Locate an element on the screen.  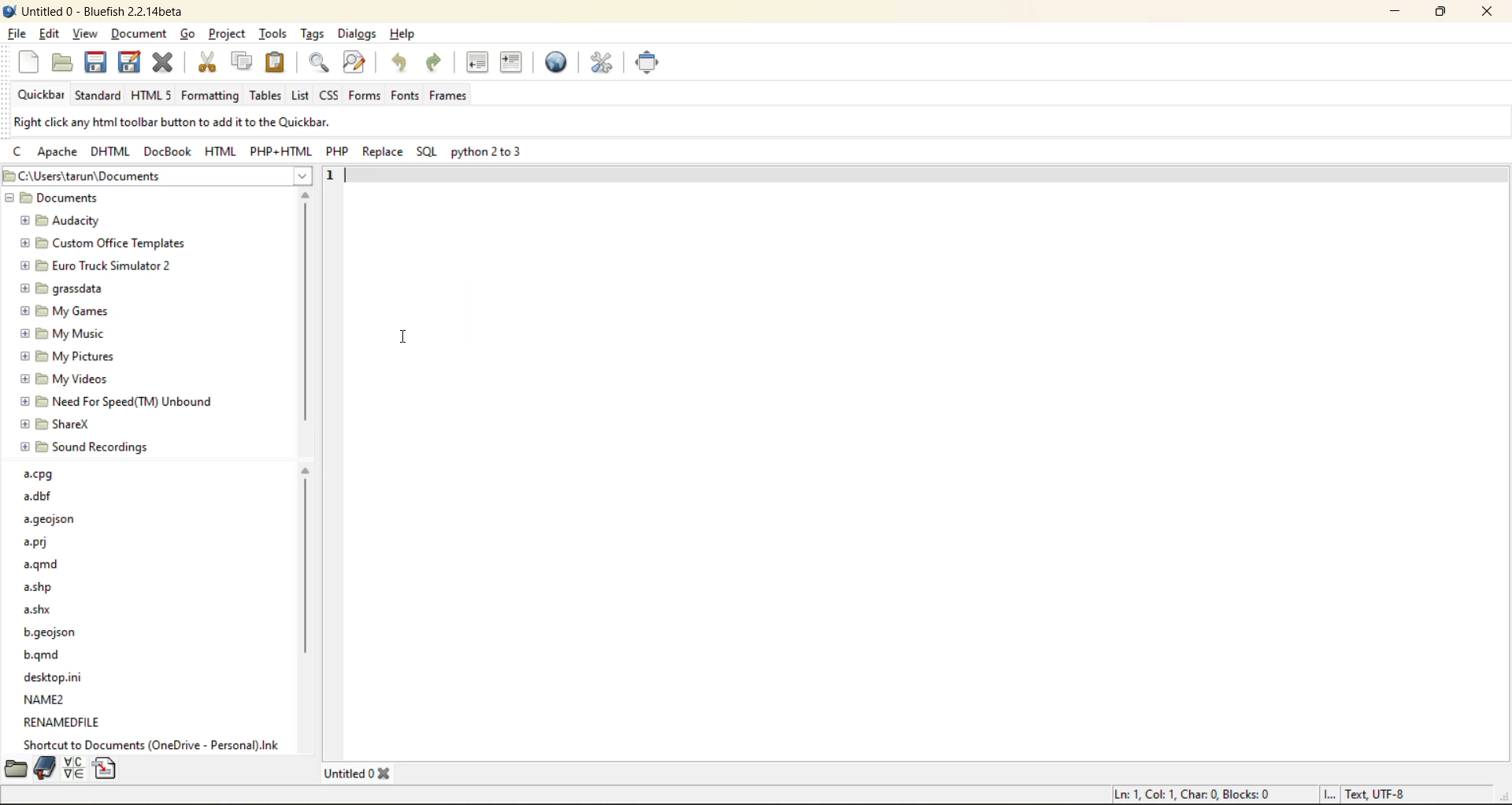
cursor is located at coordinates (395, 334).